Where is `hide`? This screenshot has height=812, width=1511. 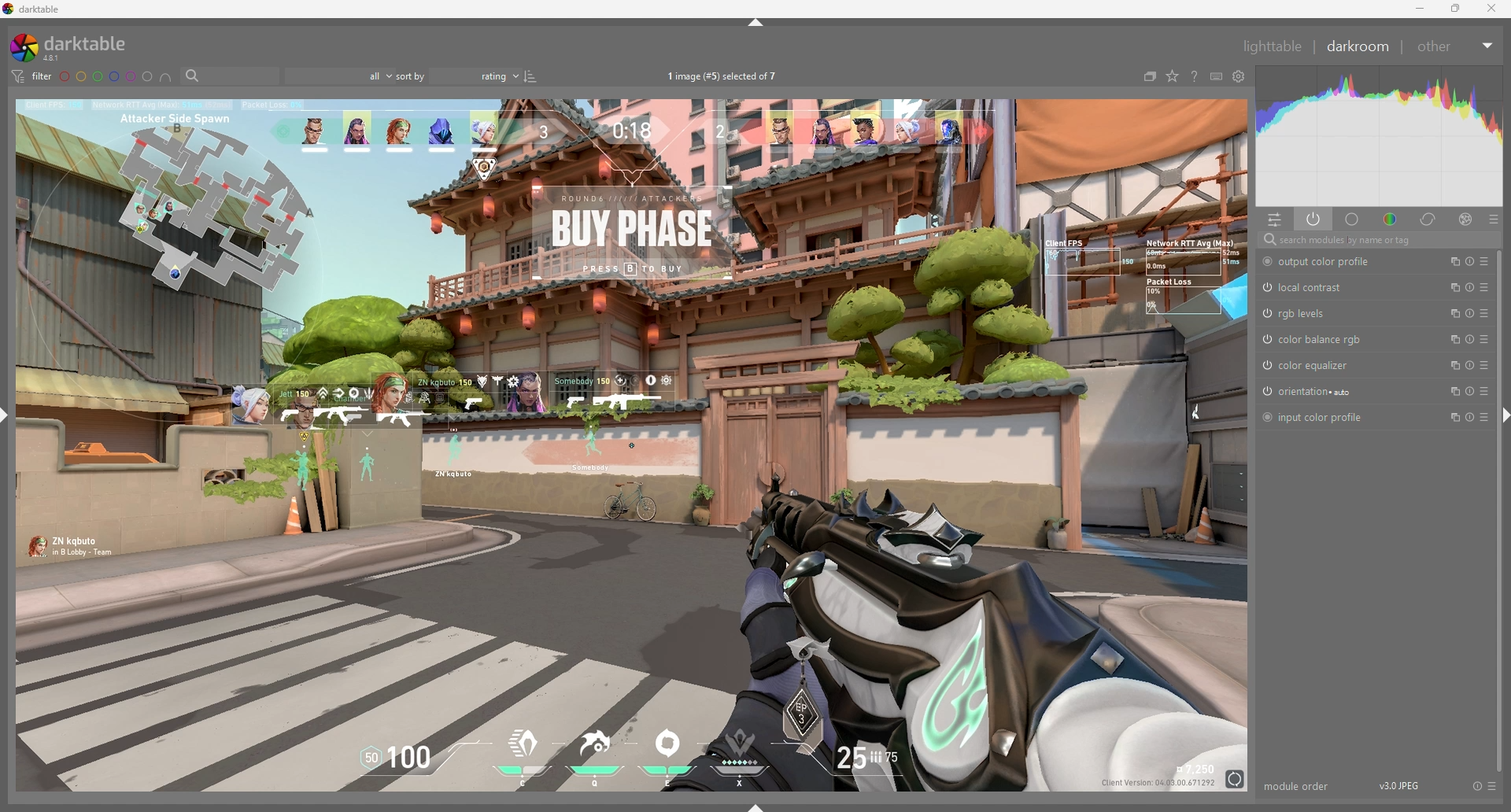
hide is located at coordinates (757, 23).